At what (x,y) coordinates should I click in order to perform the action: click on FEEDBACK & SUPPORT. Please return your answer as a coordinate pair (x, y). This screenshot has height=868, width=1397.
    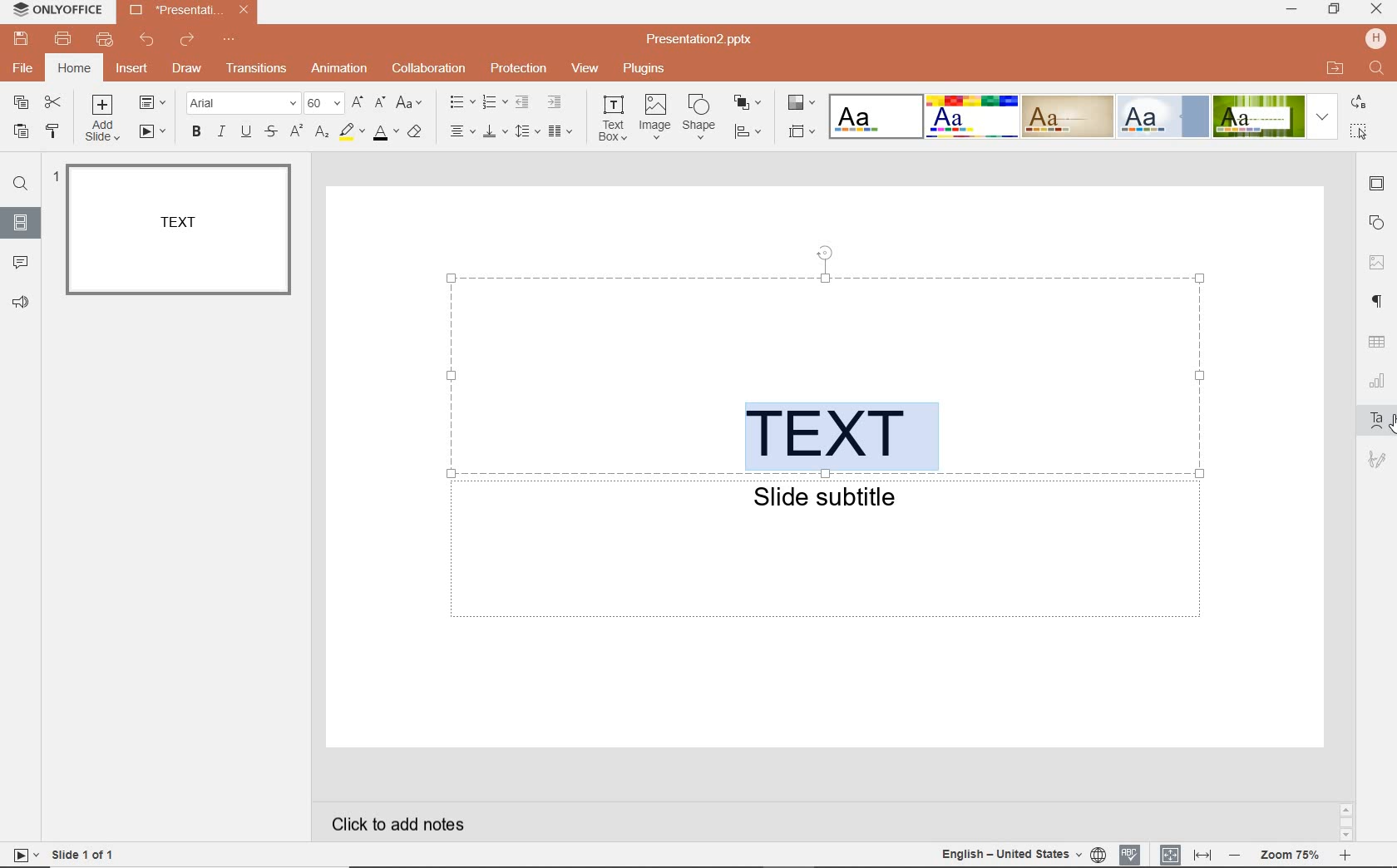
    Looking at the image, I should click on (22, 304).